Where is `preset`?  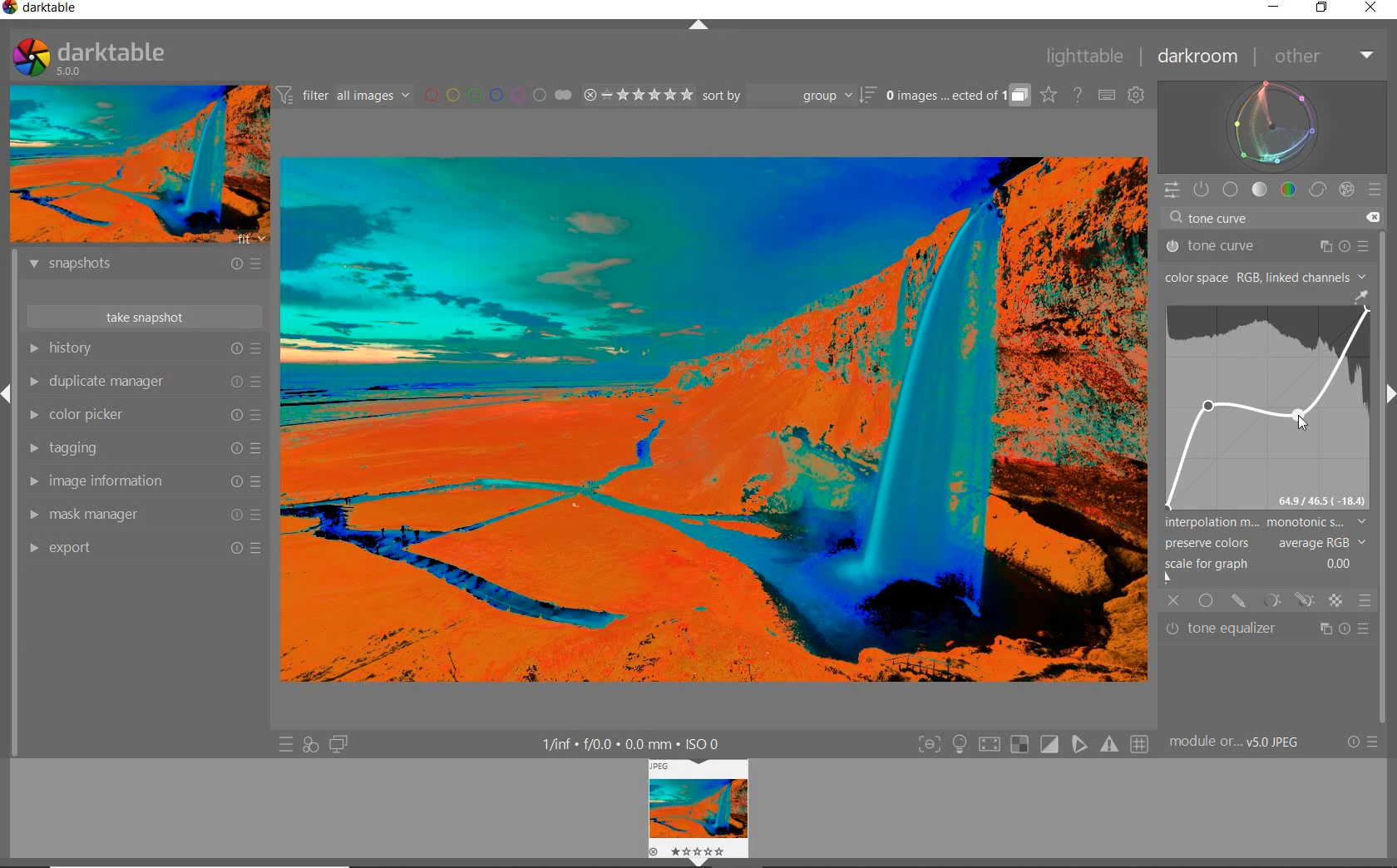 preset is located at coordinates (1376, 187).